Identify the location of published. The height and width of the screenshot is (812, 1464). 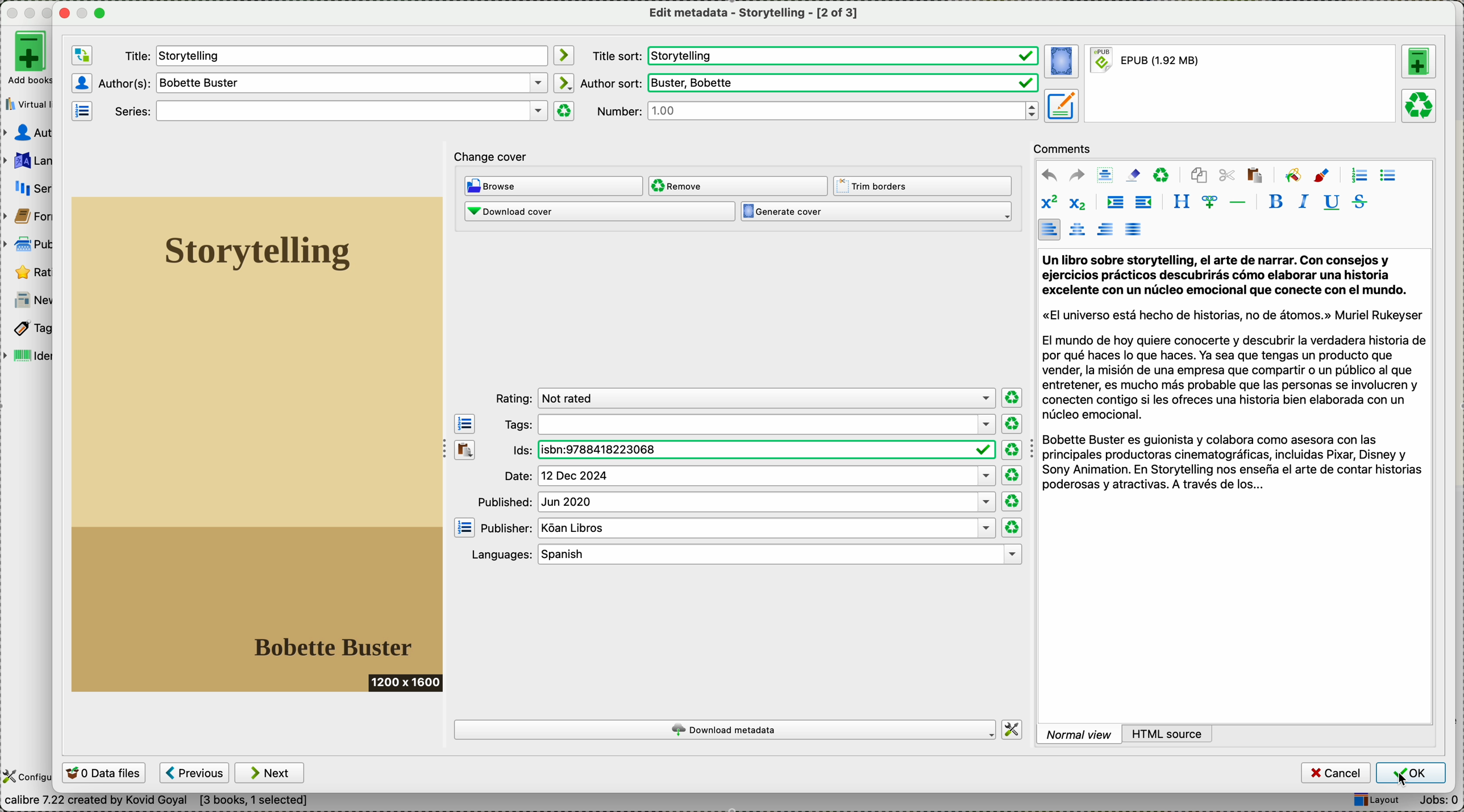
(737, 502).